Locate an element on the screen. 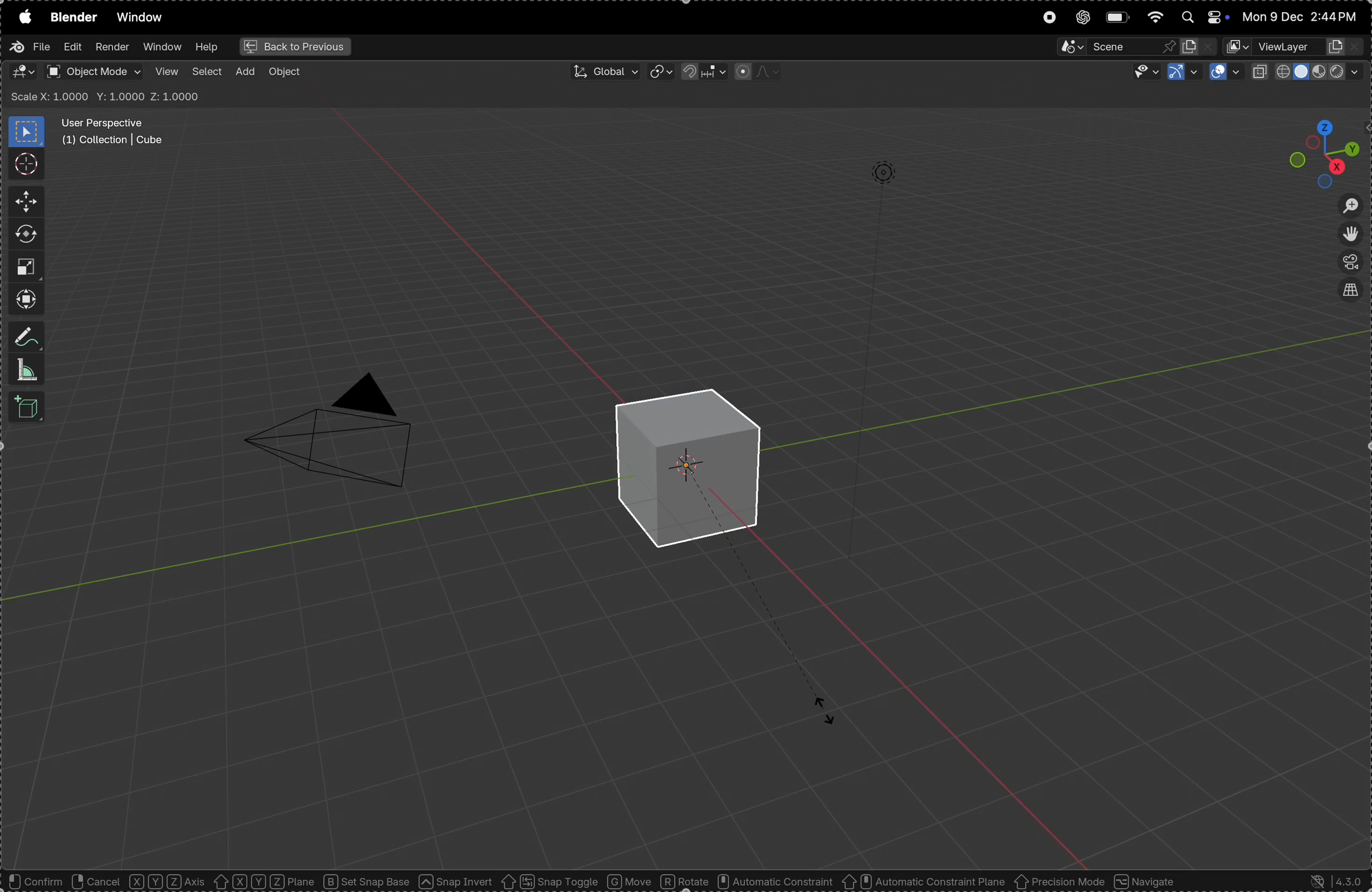  editor type is located at coordinates (22, 73).